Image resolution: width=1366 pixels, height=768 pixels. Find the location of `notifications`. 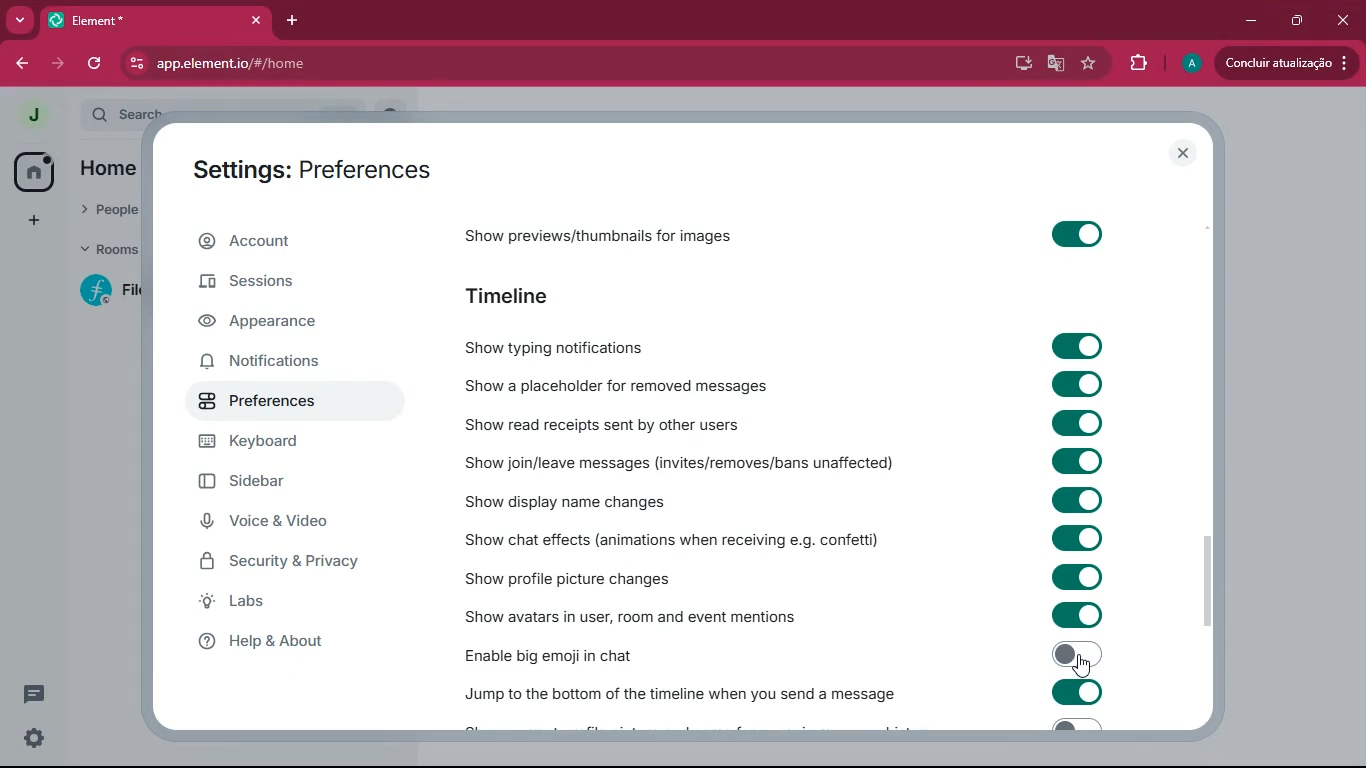

notifications is located at coordinates (290, 362).